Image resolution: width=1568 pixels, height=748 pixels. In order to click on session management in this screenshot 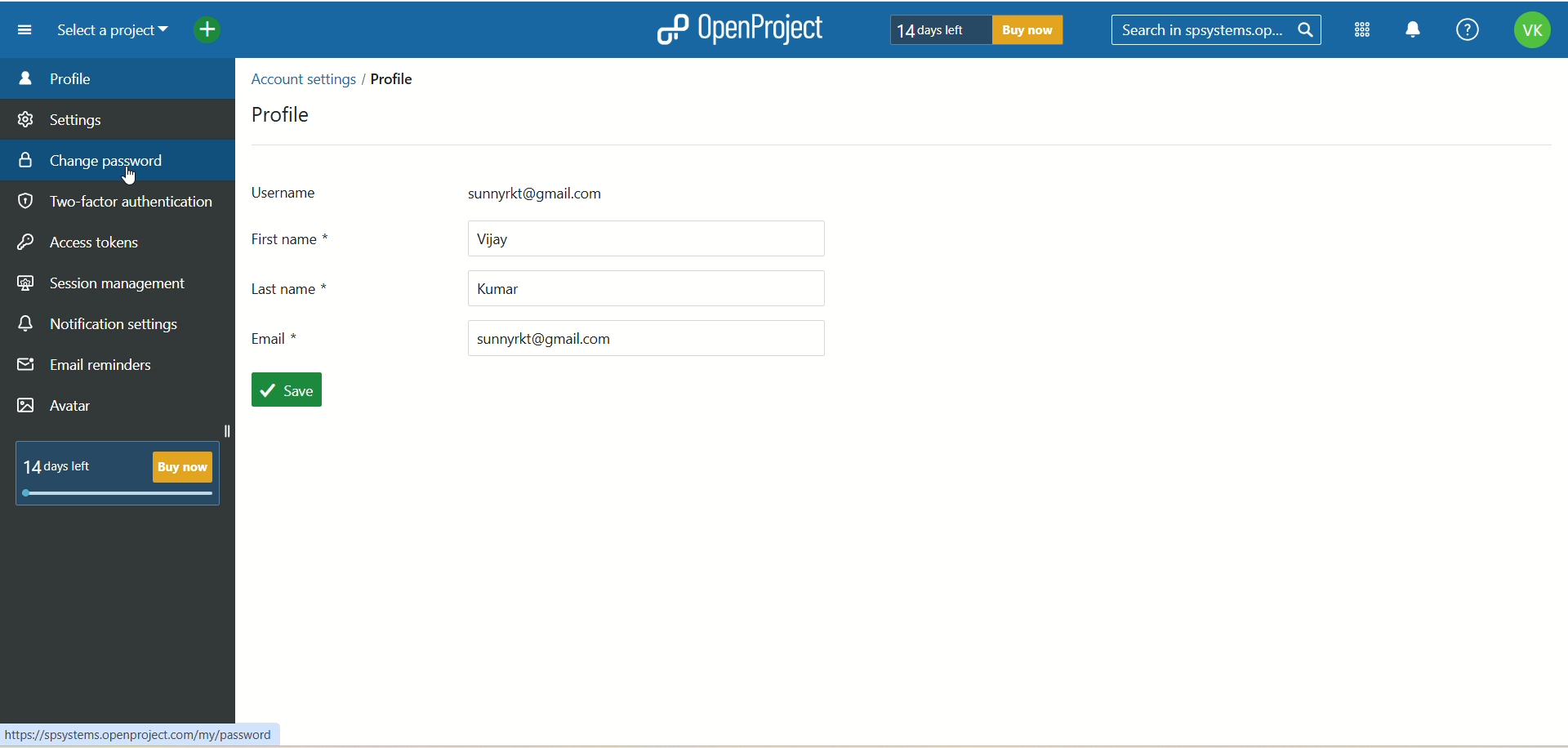, I will do `click(100, 287)`.